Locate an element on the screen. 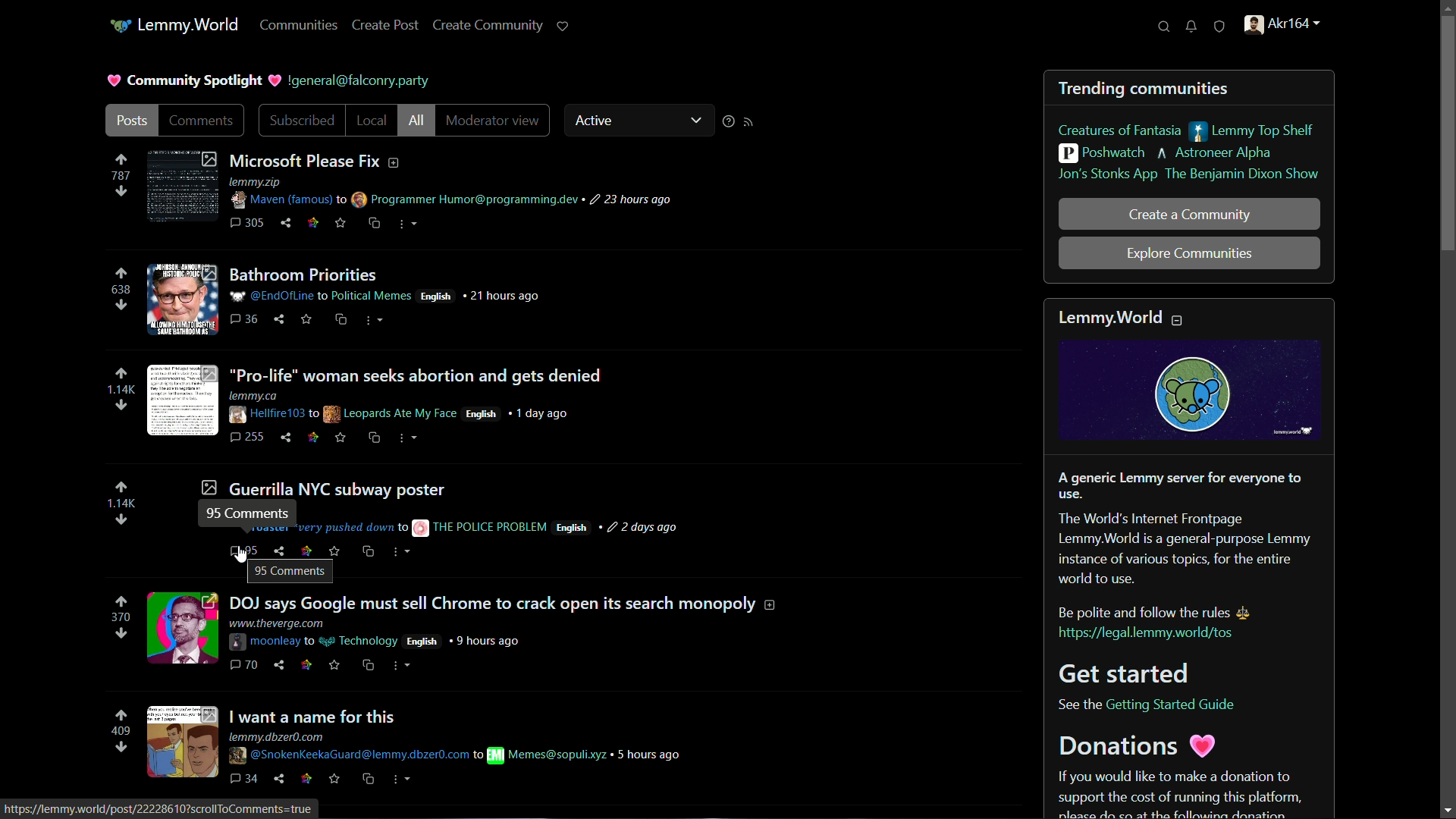  unread reports is located at coordinates (1220, 27).